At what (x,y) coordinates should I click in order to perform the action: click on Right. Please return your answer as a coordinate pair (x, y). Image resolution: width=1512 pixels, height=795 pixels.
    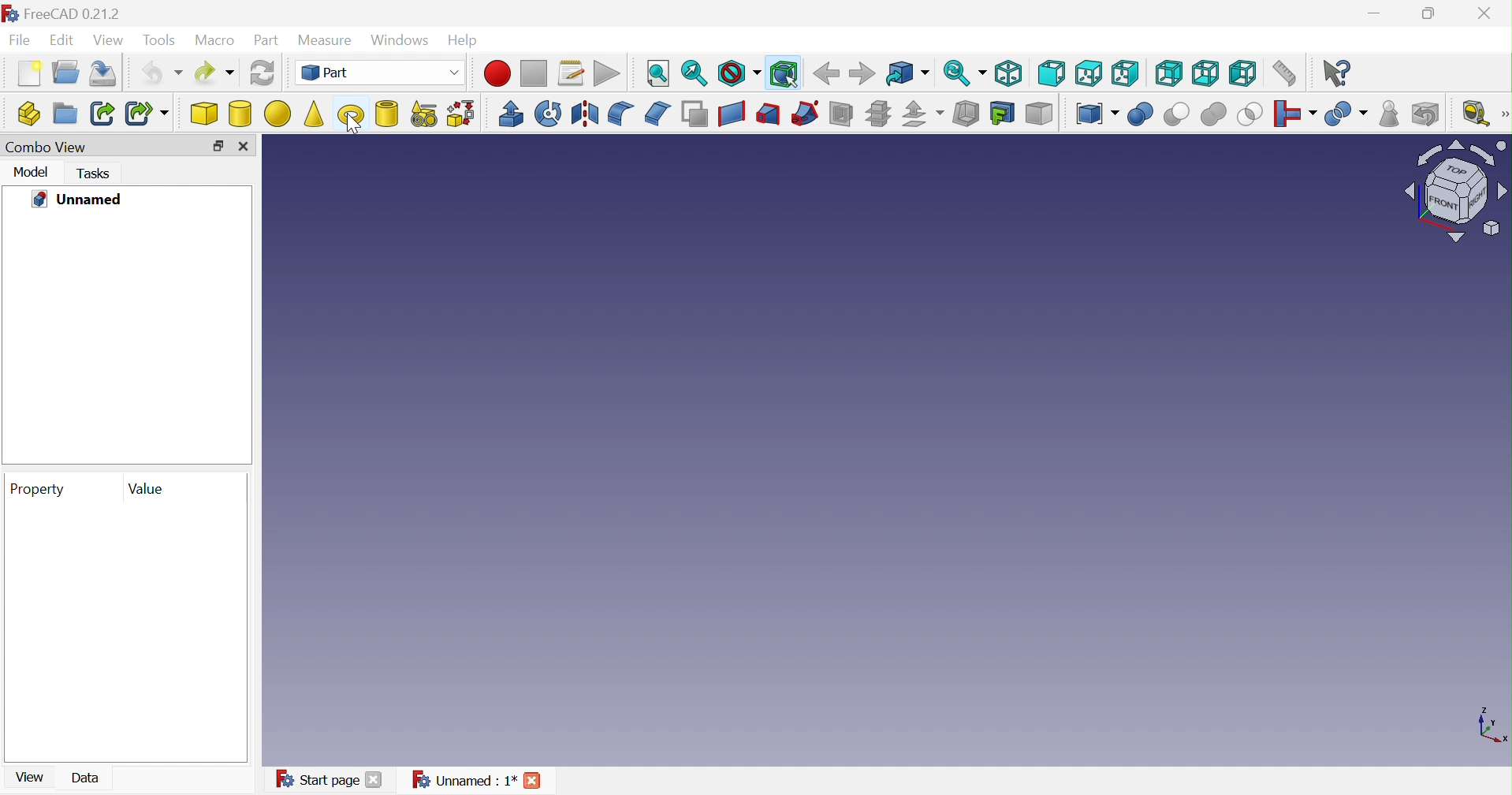
    Looking at the image, I should click on (1125, 74).